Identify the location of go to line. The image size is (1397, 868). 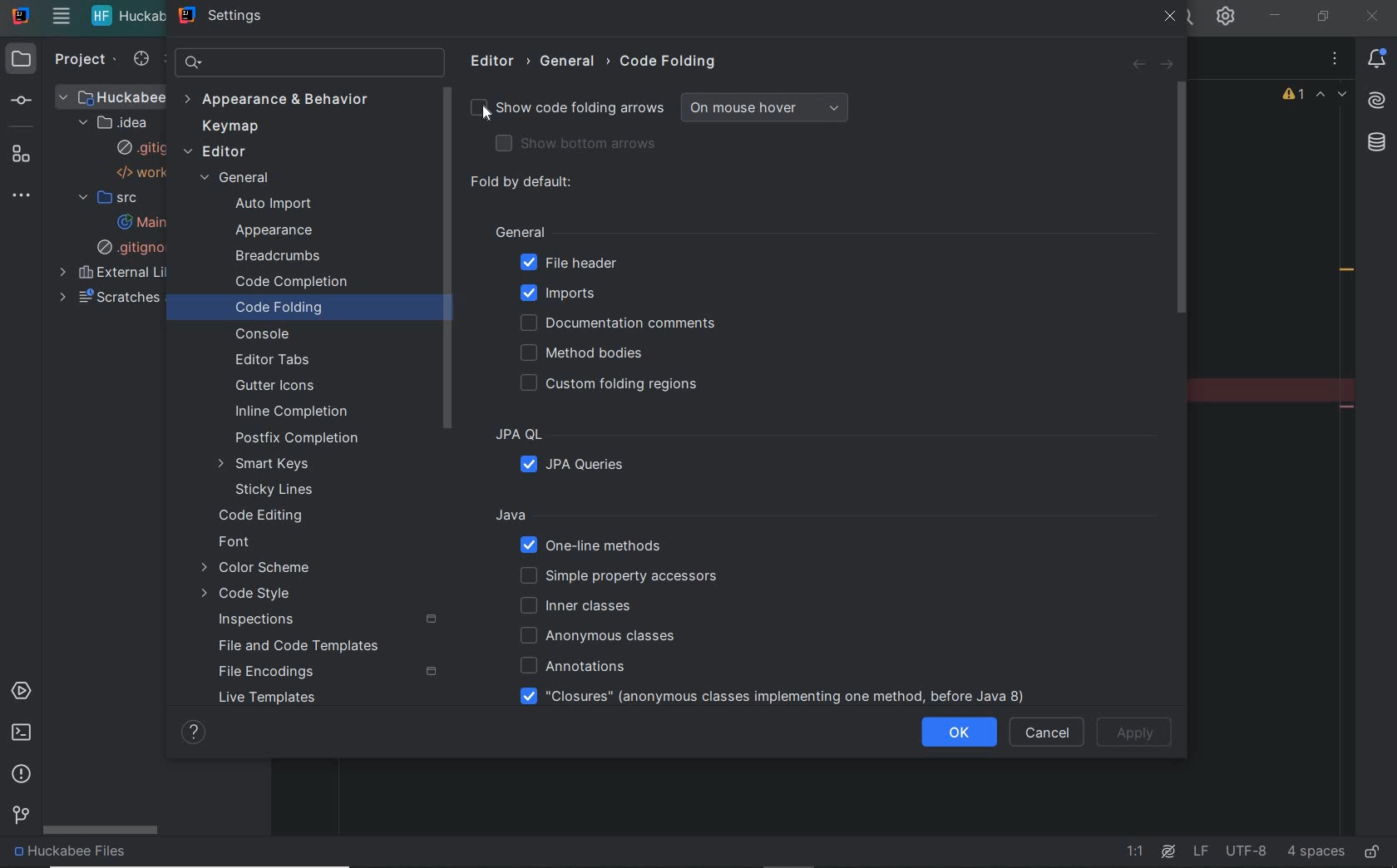
(1138, 852).